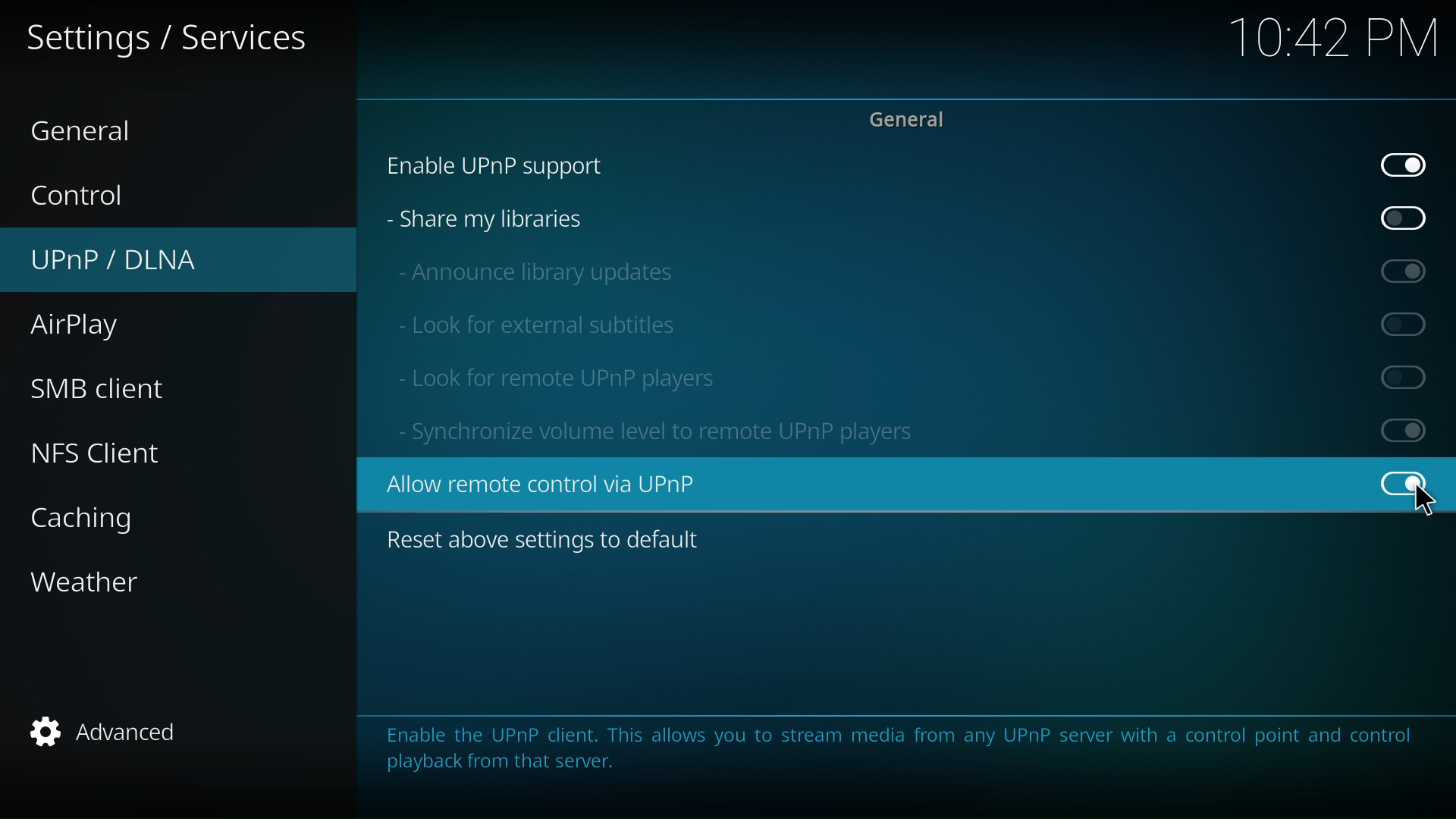  Describe the element at coordinates (120, 258) in the screenshot. I see `UPnP/DLNA` at that location.